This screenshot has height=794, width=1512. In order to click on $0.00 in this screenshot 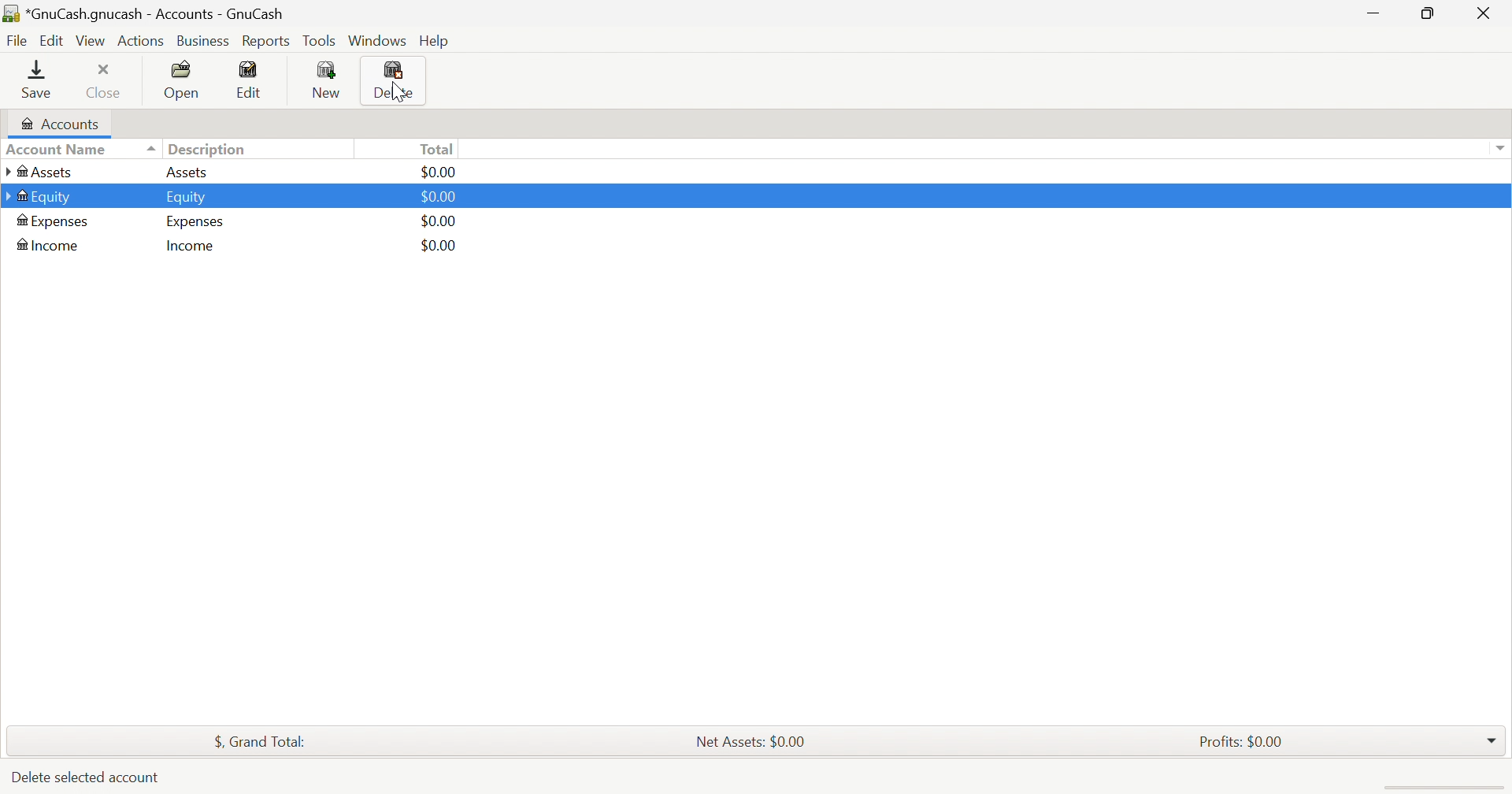, I will do `click(442, 198)`.